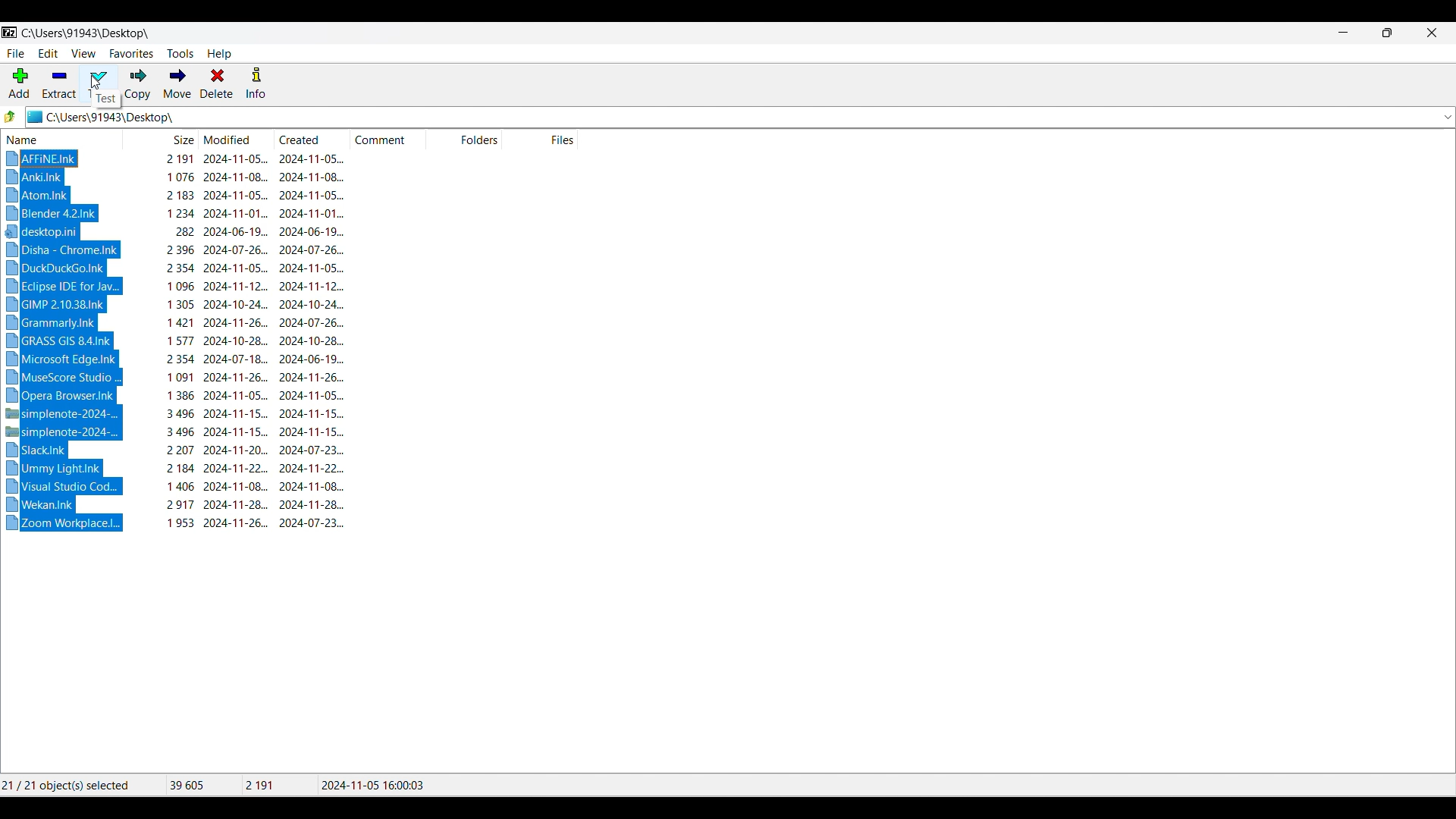  Describe the element at coordinates (19, 83) in the screenshot. I see `Add` at that location.